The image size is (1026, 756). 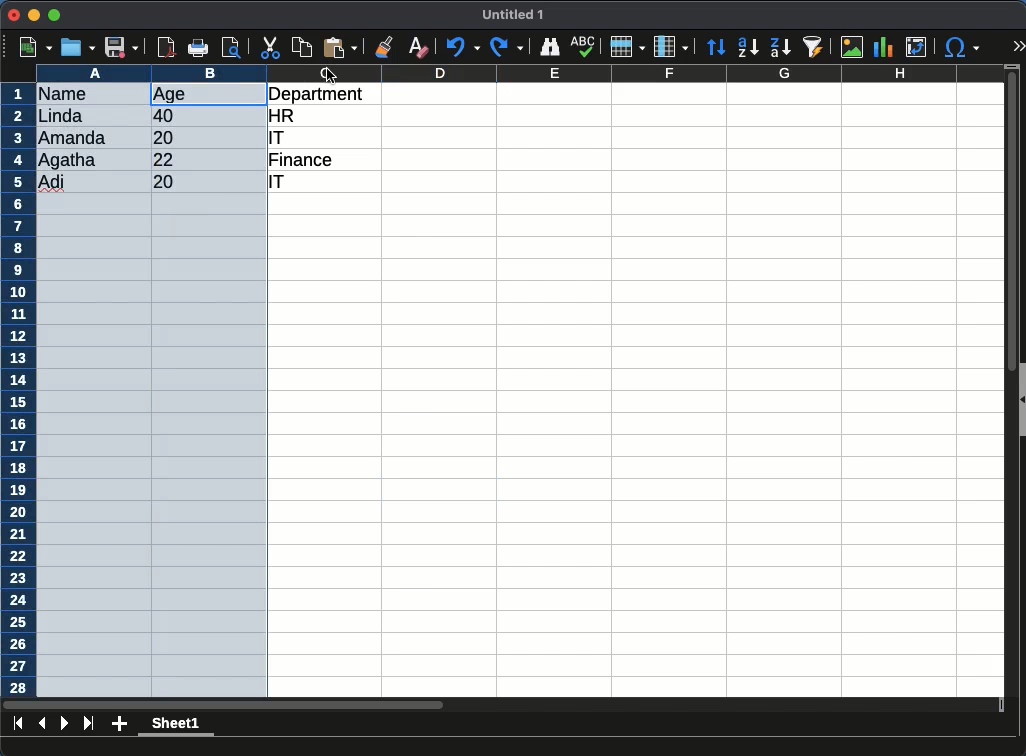 I want to click on descending, so click(x=748, y=48).